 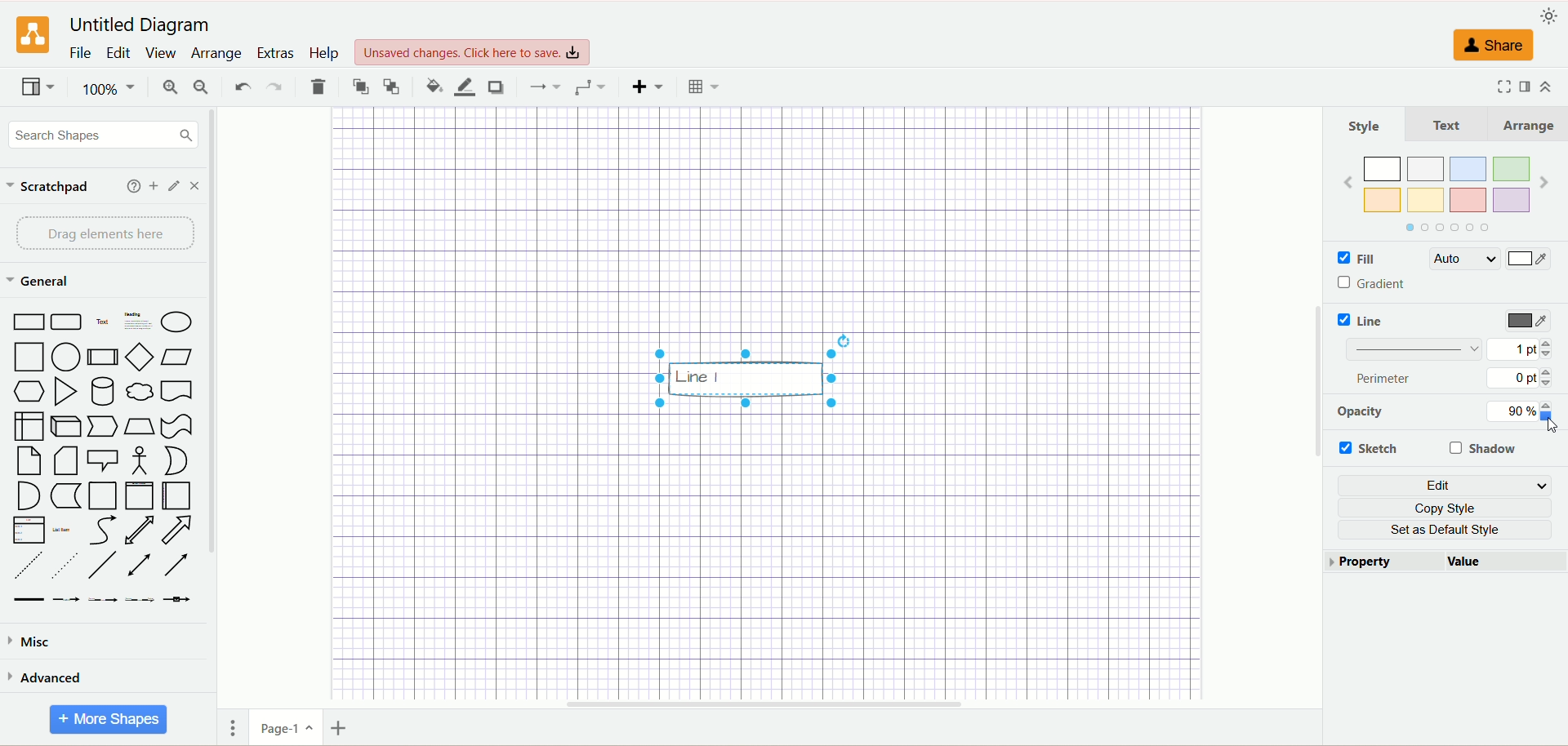 I want to click on Line, so click(x=103, y=566).